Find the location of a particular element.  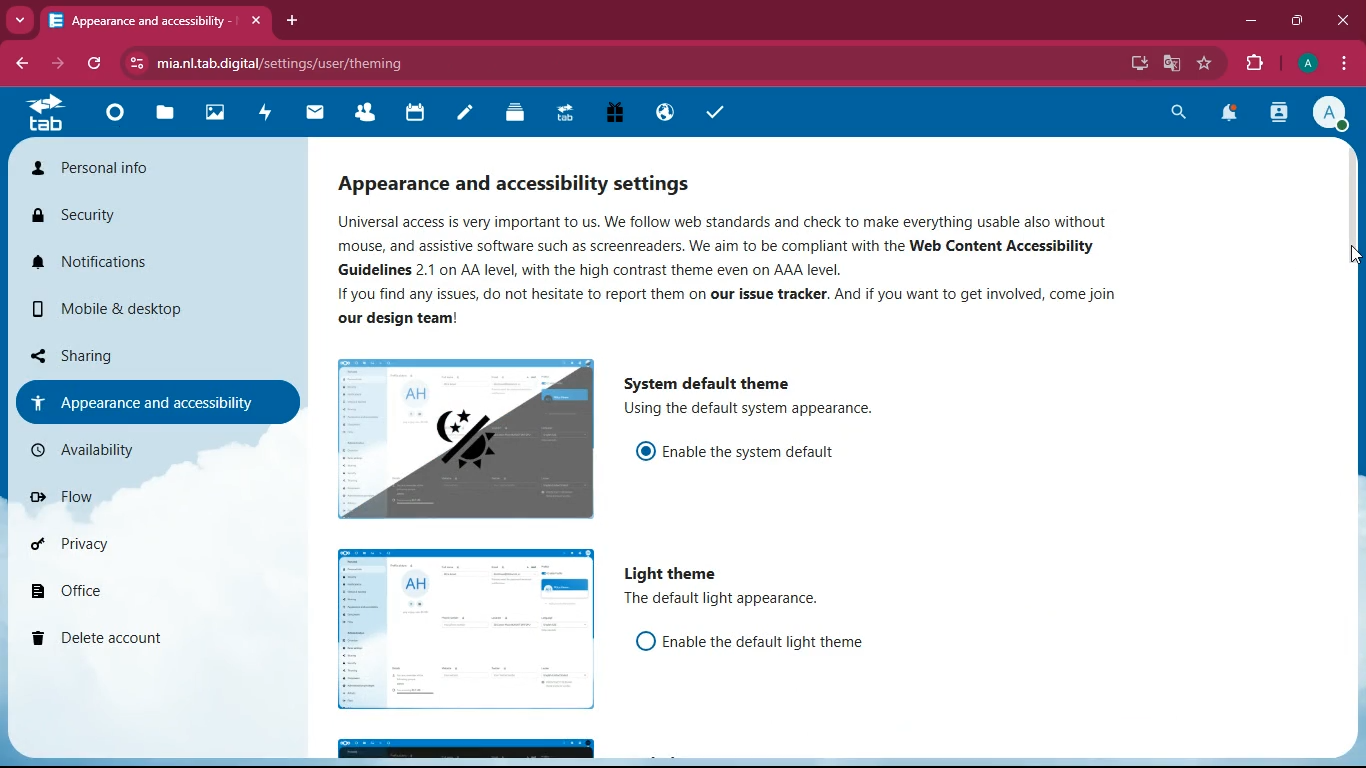

appearance is located at coordinates (160, 401).